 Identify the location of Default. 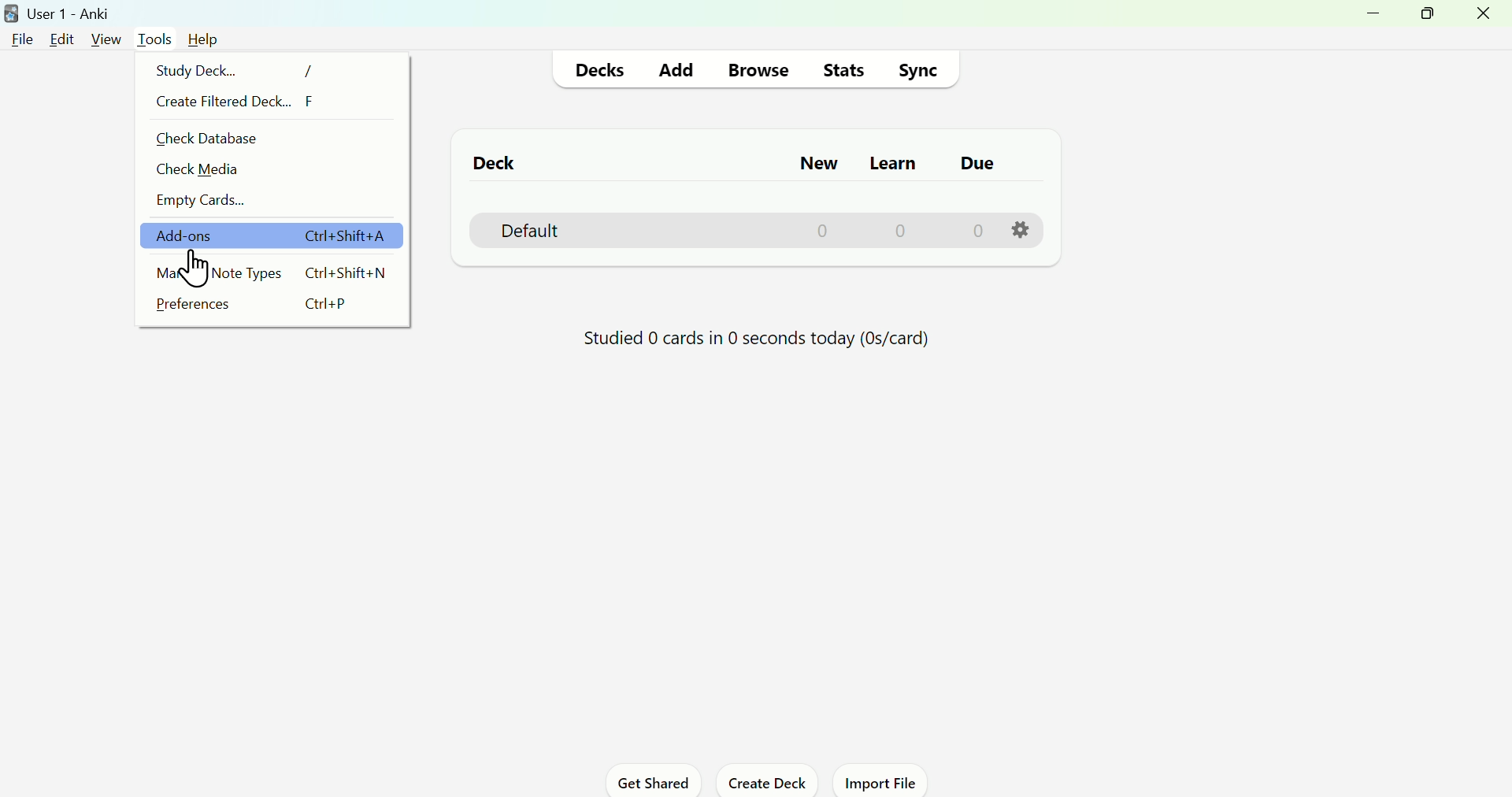
(523, 229).